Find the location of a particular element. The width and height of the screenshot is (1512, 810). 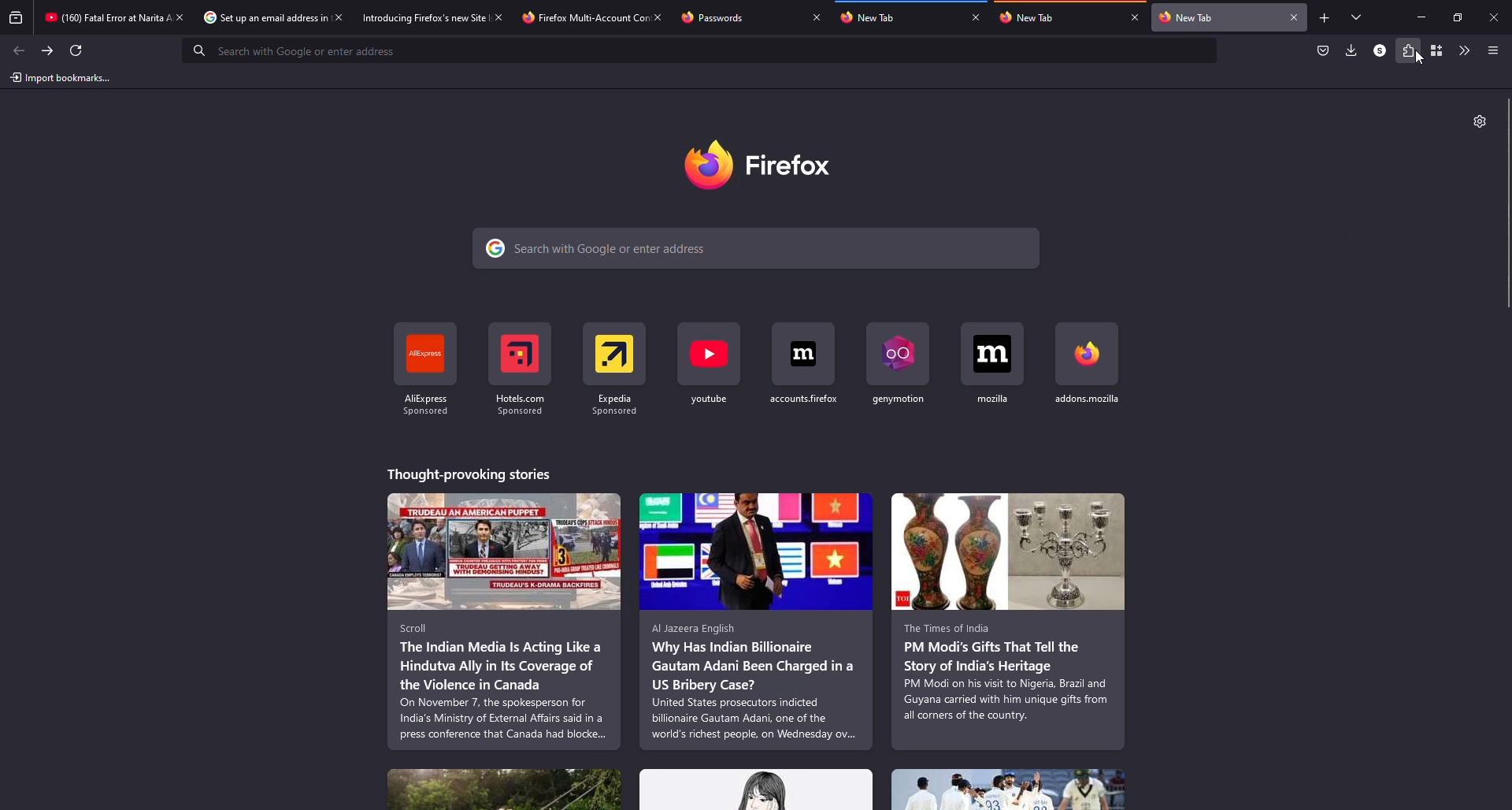

profile is located at coordinates (1380, 50).